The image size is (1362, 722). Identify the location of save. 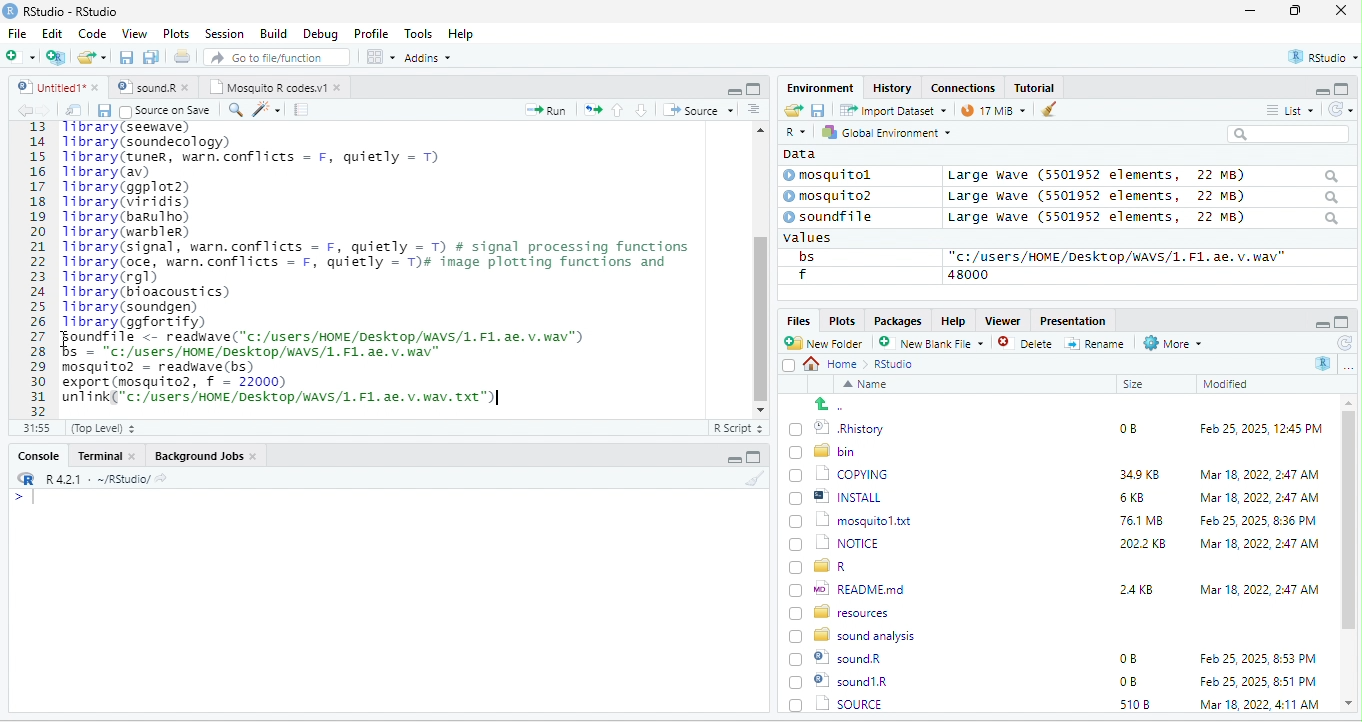
(817, 109).